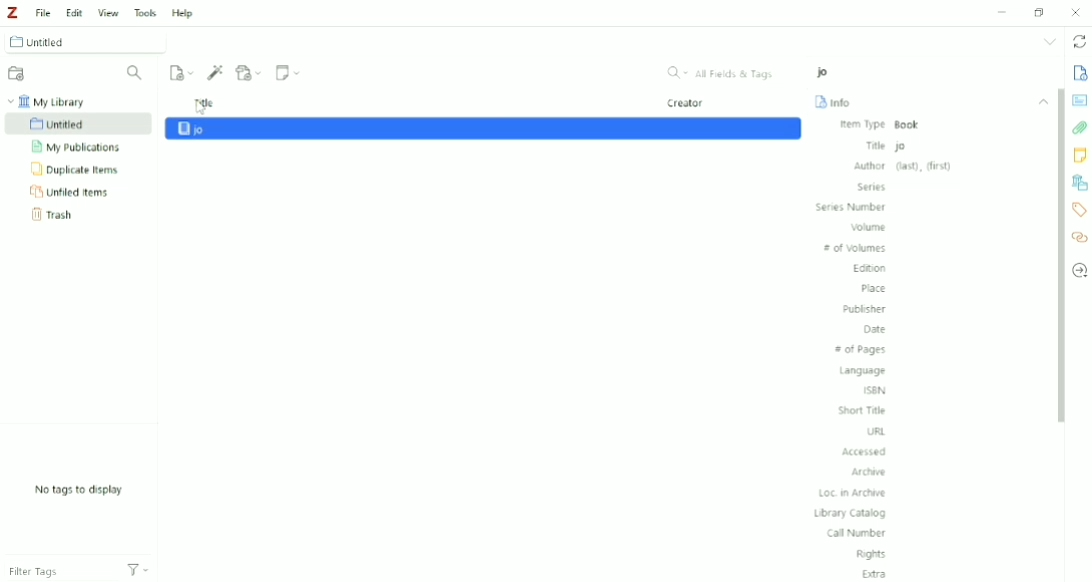 The width and height of the screenshot is (1092, 582). Describe the element at coordinates (72, 10) in the screenshot. I see `Edit` at that location.